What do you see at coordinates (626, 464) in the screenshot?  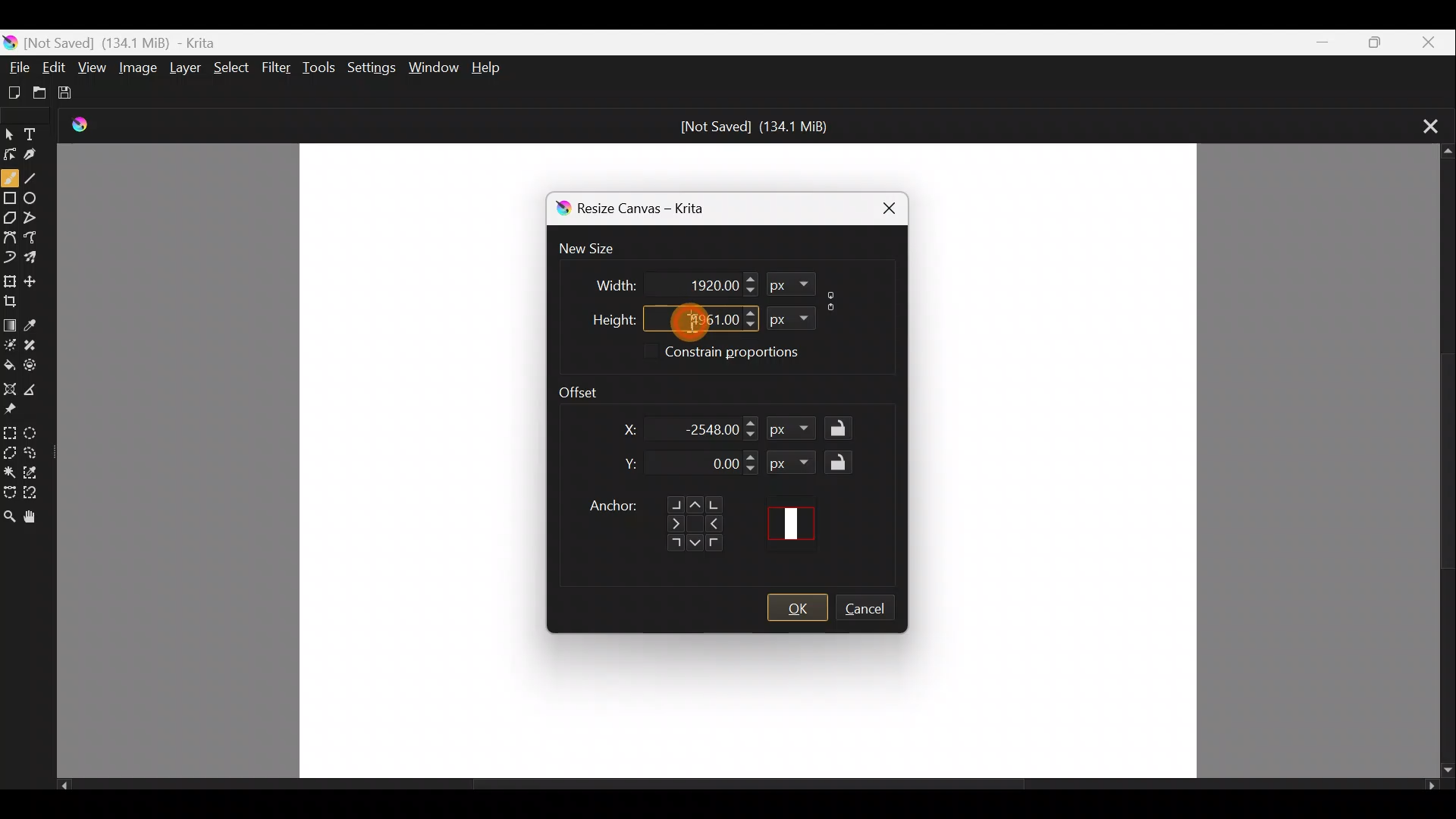 I see `Y dimension` at bounding box center [626, 464].